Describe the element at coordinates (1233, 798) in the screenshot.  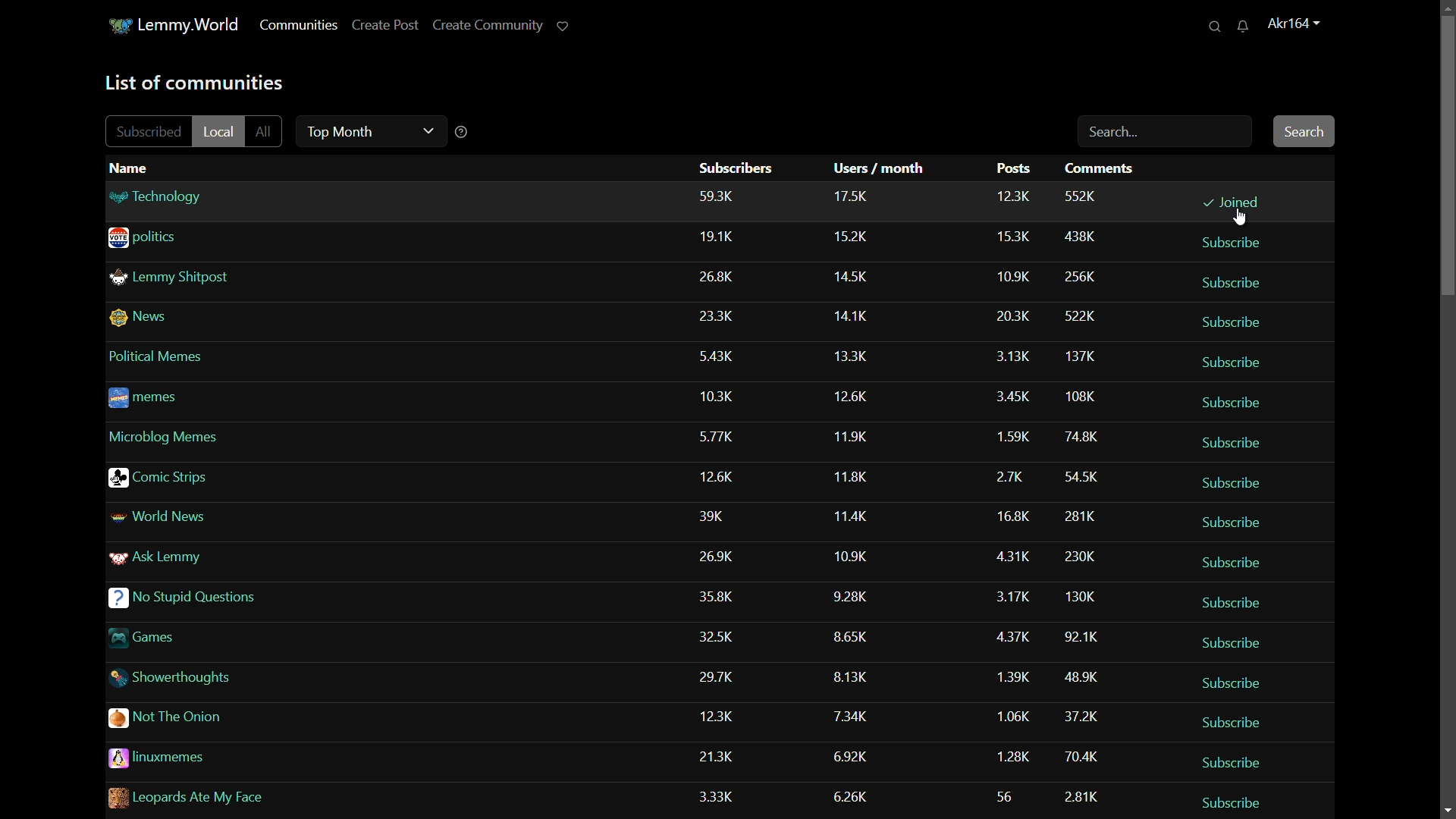
I see `subscribe/unsubscribe` at that location.